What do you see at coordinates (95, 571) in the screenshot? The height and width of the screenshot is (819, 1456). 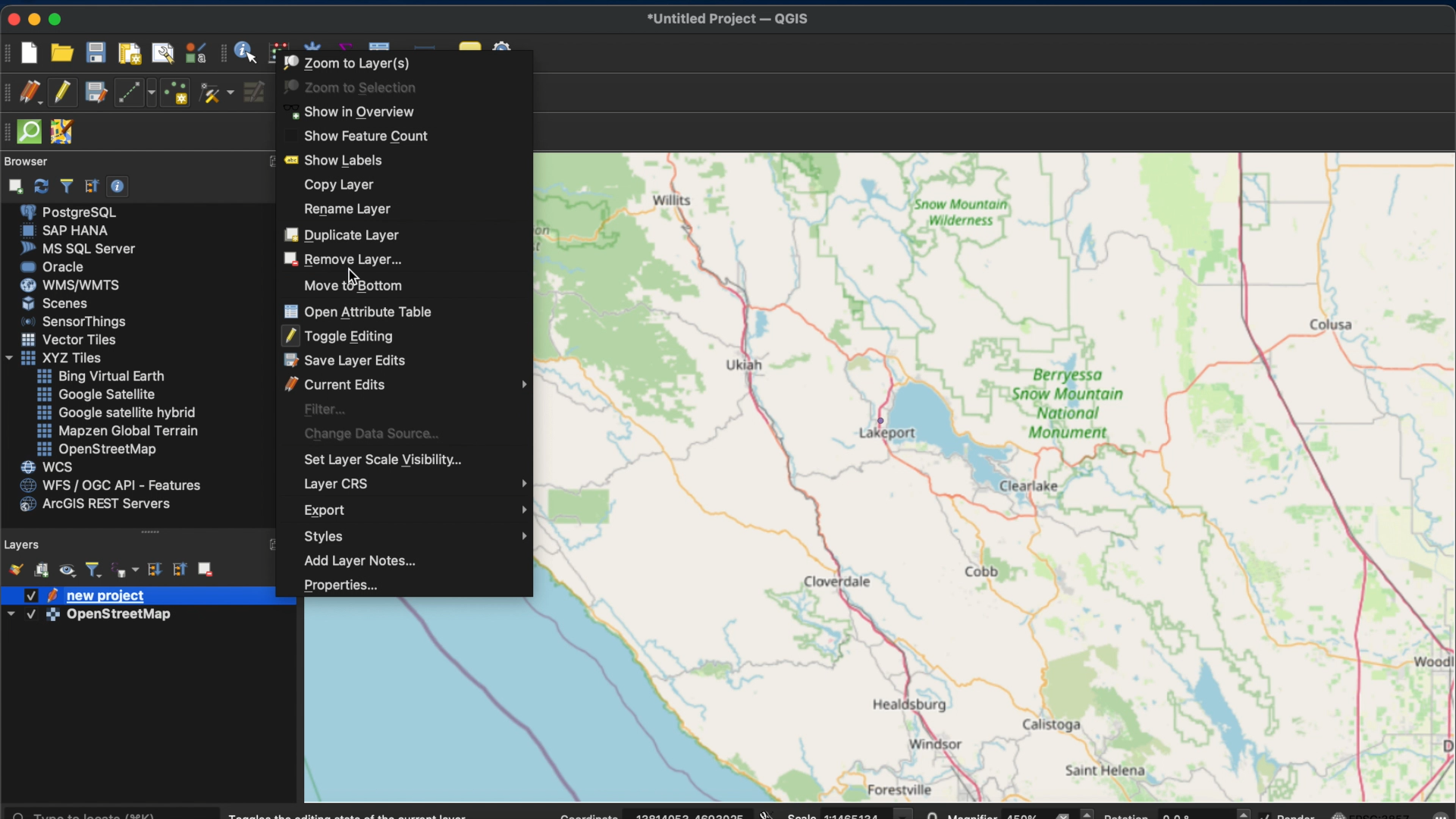 I see `filter legend` at bounding box center [95, 571].